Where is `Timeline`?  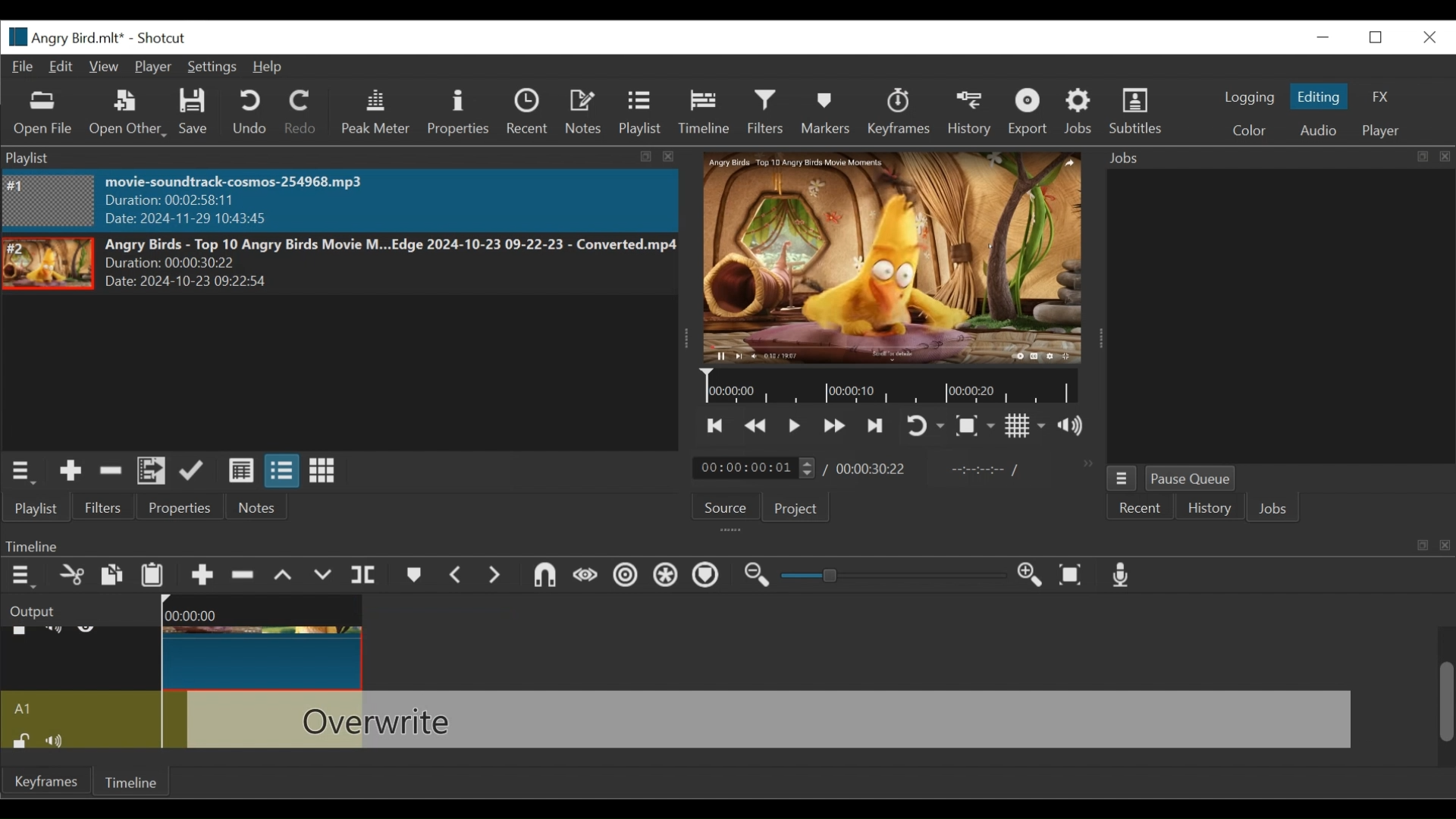
Timeline is located at coordinates (703, 112).